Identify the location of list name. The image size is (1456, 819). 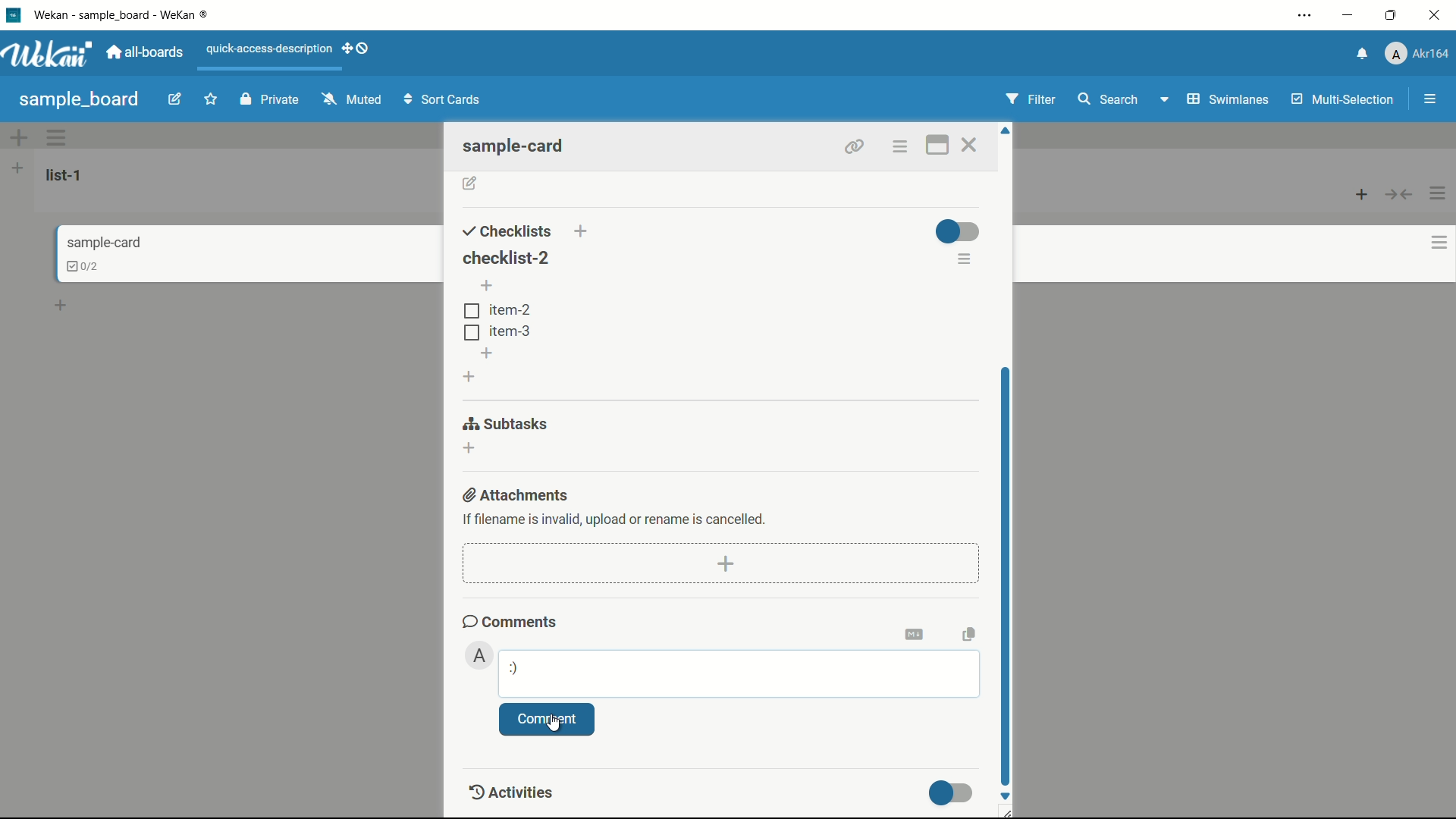
(67, 175).